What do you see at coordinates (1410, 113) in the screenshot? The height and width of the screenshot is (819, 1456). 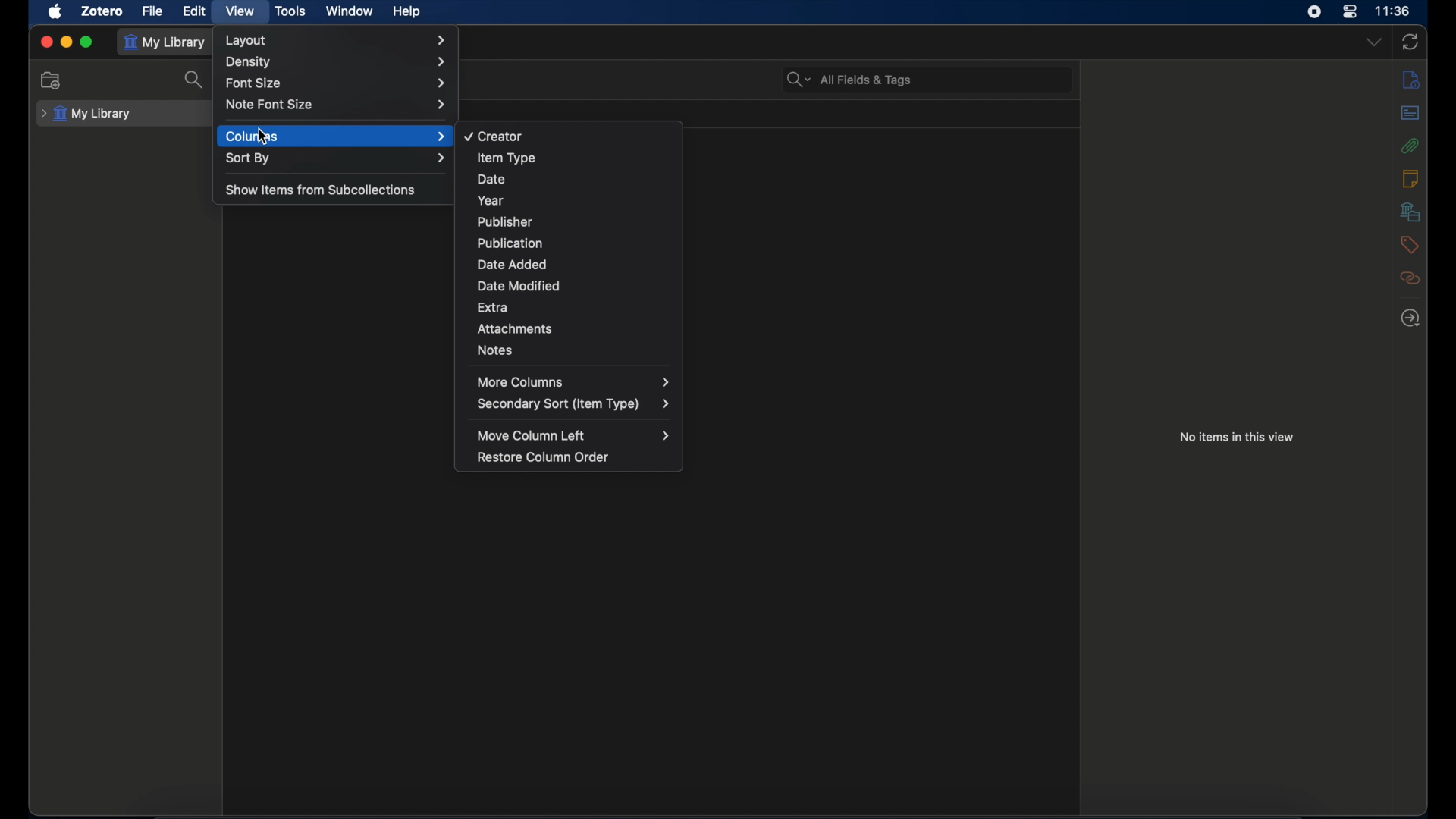 I see `abstract` at bounding box center [1410, 113].